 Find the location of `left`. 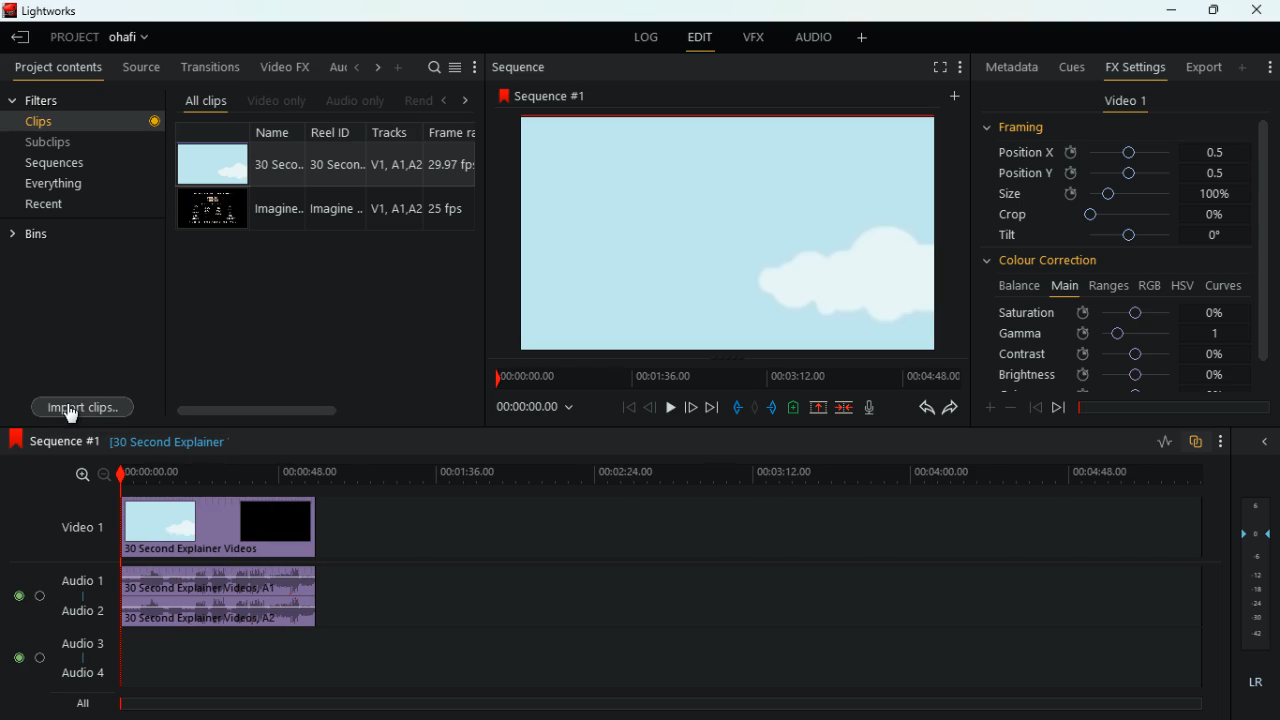

left is located at coordinates (442, 98).